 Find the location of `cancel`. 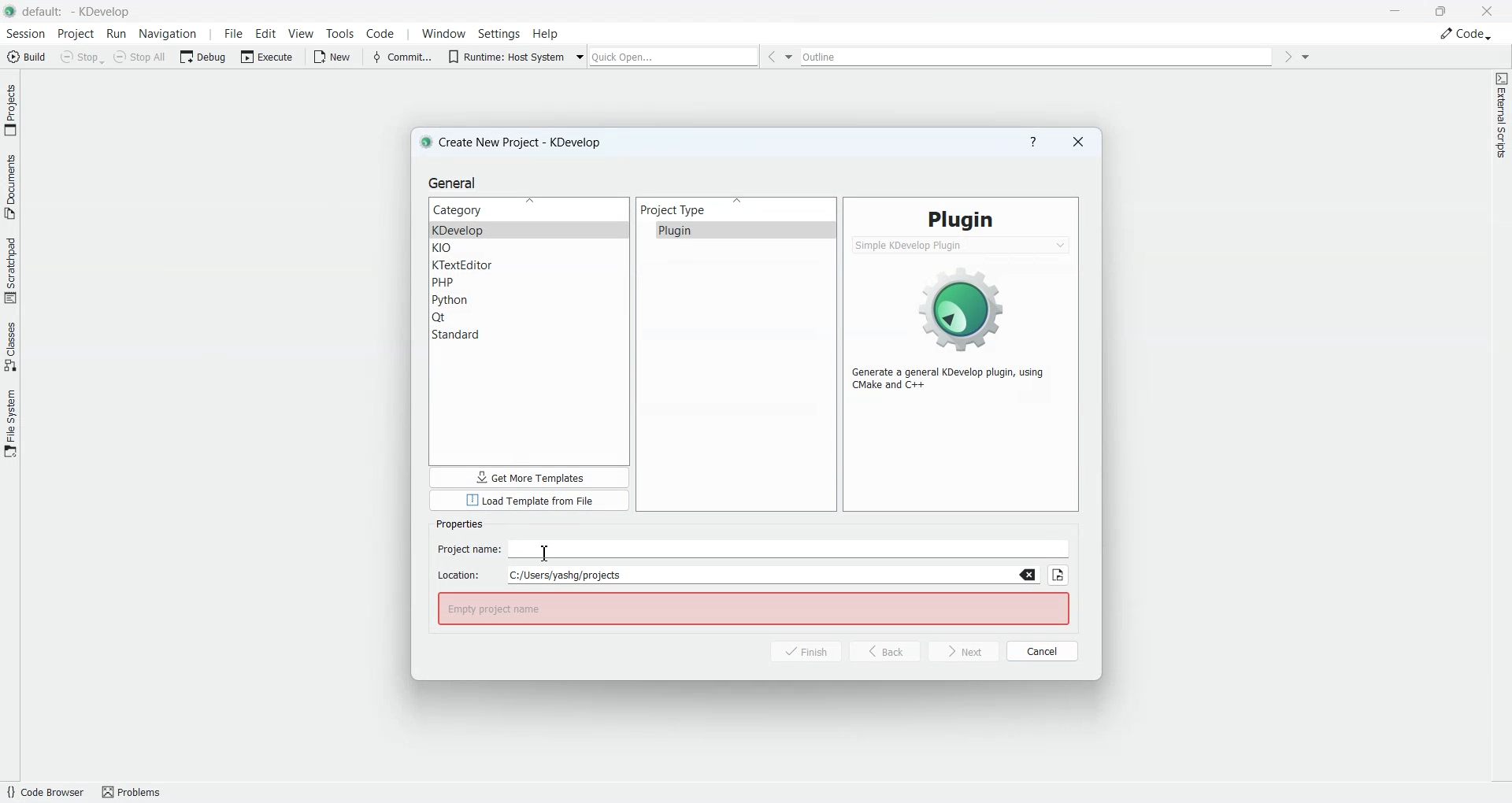

cancel is located at coordinates (1043, 649).